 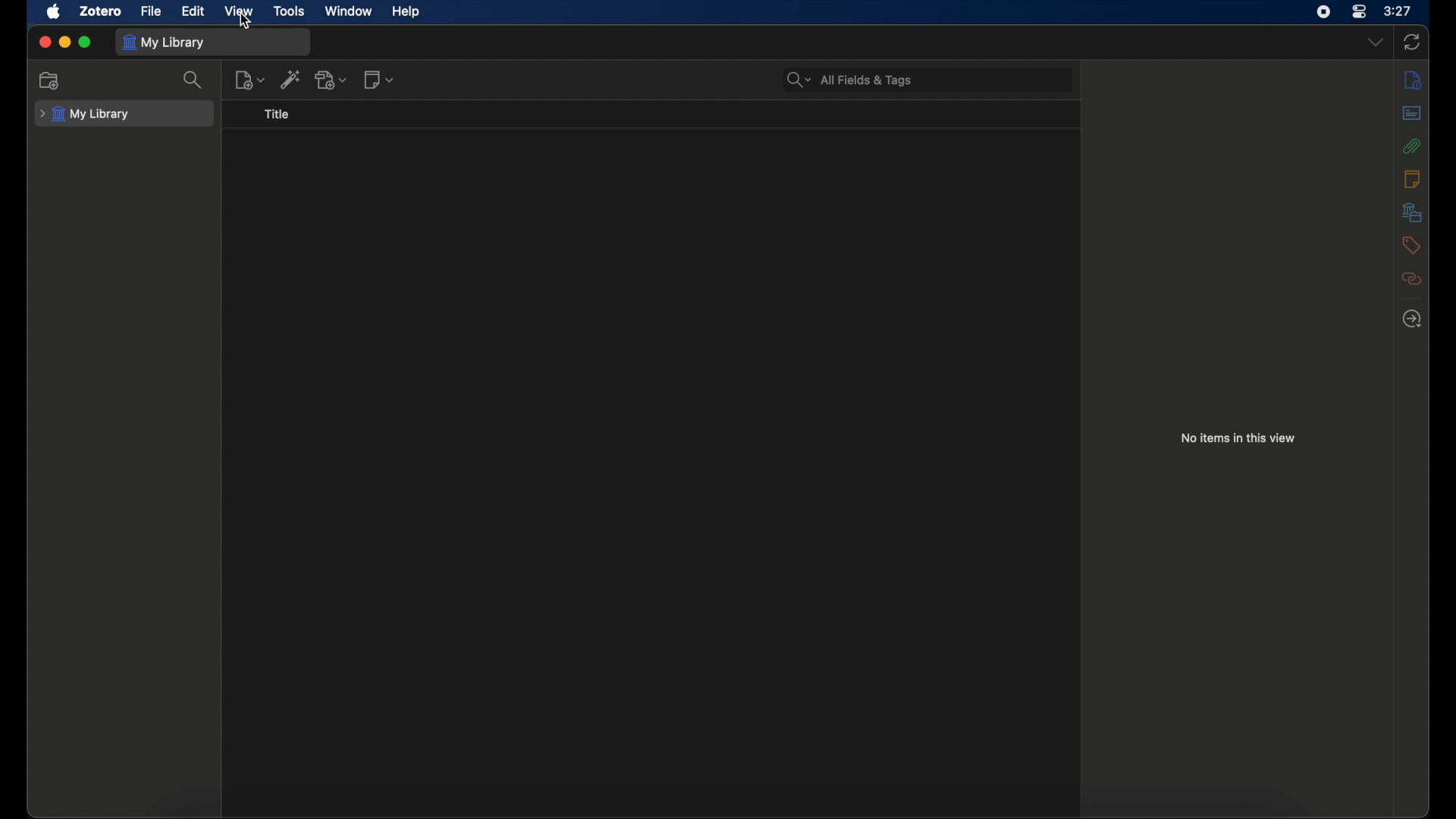 I want to click on tags, so click(x=1410, y=245).